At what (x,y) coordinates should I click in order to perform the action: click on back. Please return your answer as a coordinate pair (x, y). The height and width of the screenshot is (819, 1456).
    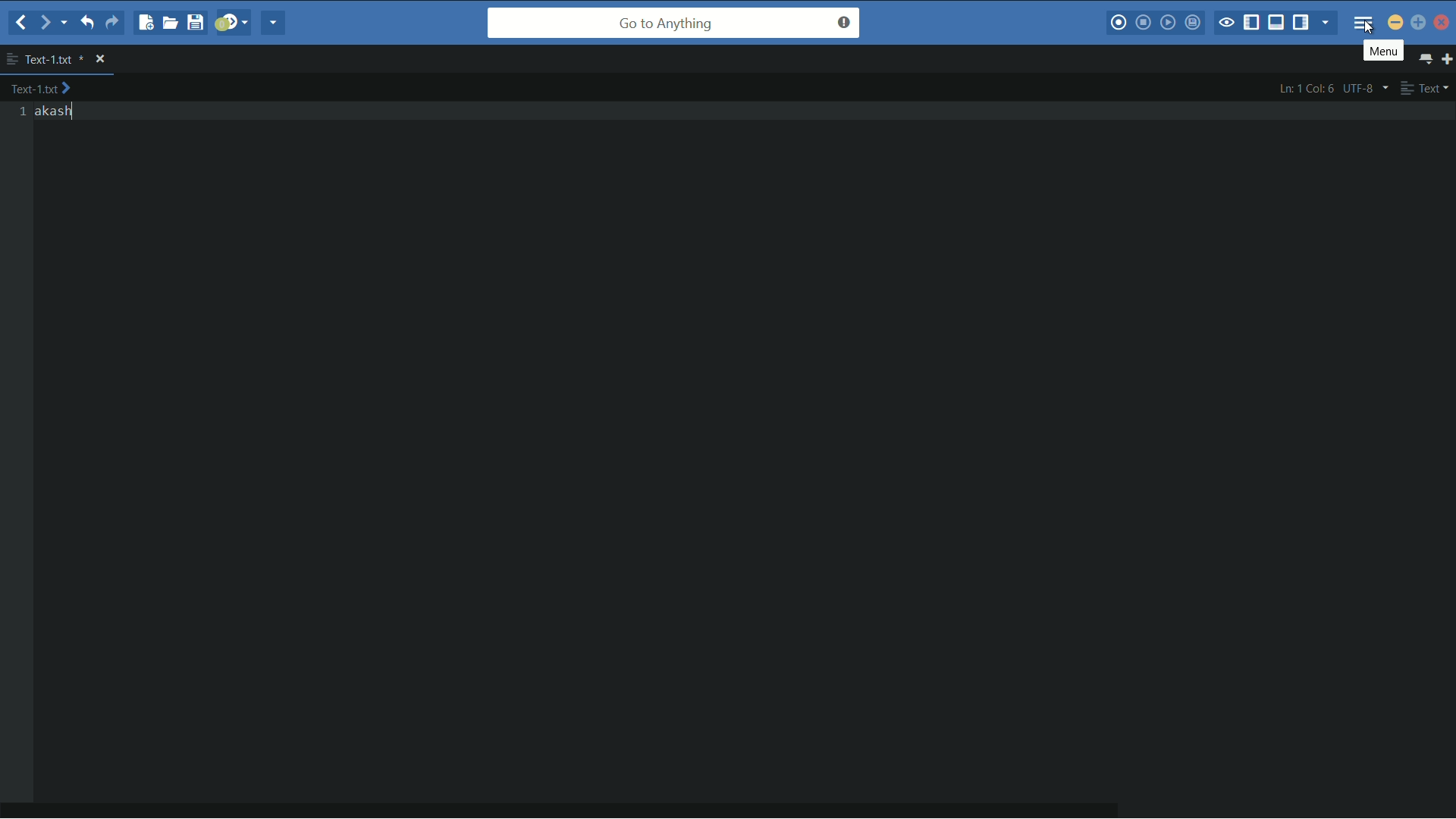
    Looking at the image, I should click on (21, 23).